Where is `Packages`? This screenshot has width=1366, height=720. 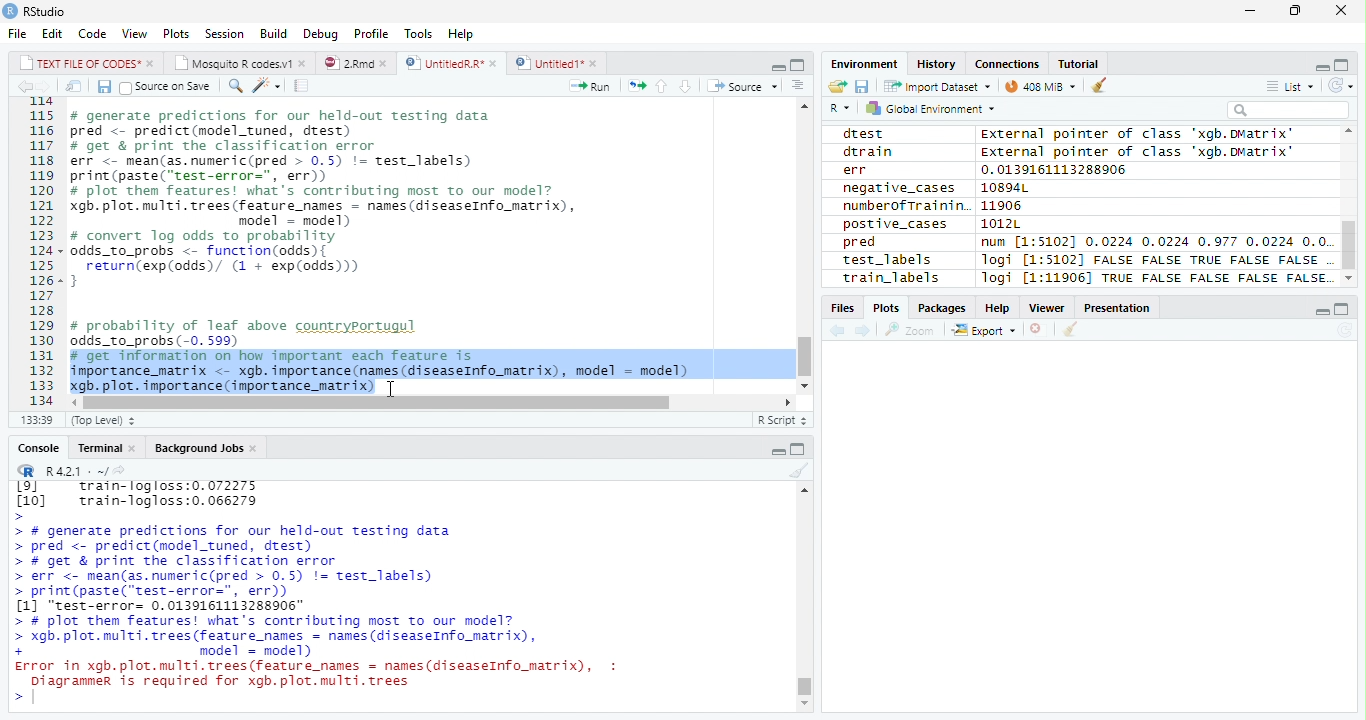 Packages is located at coordinates (942, 308).